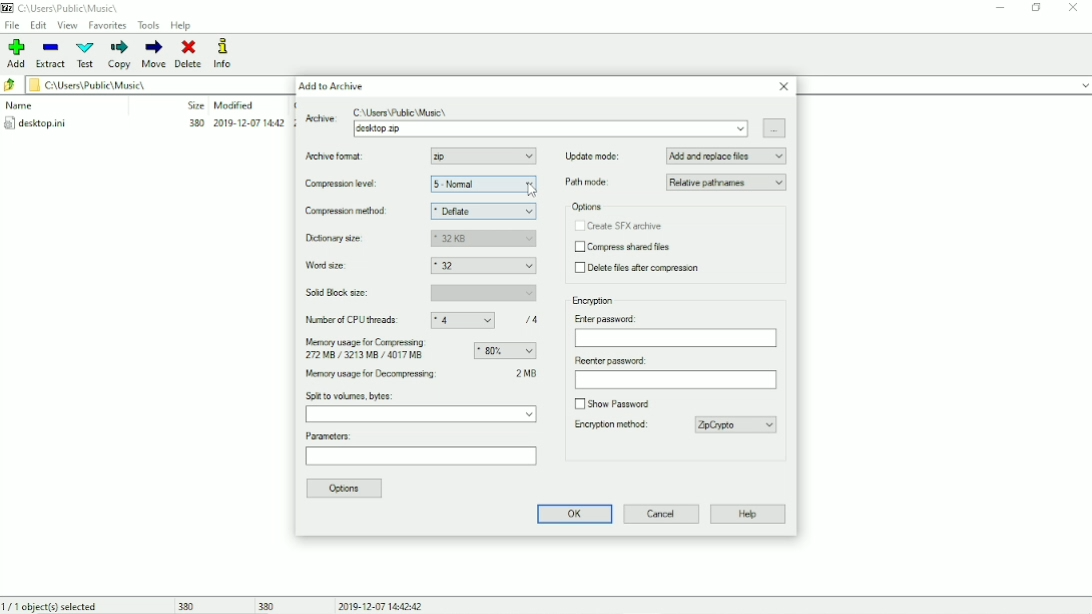 The height and width of the screenshot is (614, 1092). What do you see at coordinates (427, 320) in the screenshot?
I see `Number of CPU threads` at bounding box center [427, 320].